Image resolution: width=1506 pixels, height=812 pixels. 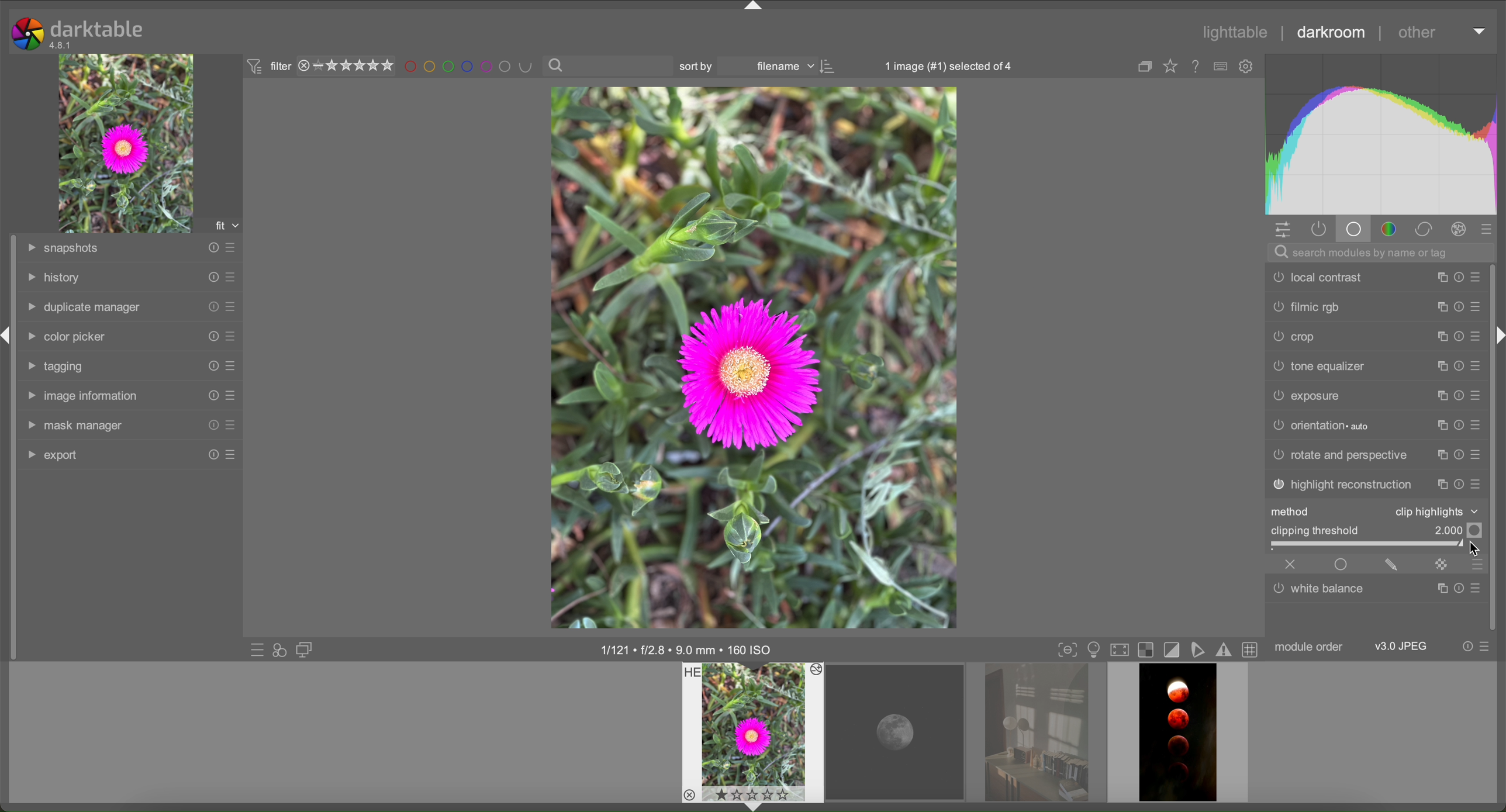 I want to click on snapshots tab, so click(x=63, y=247).